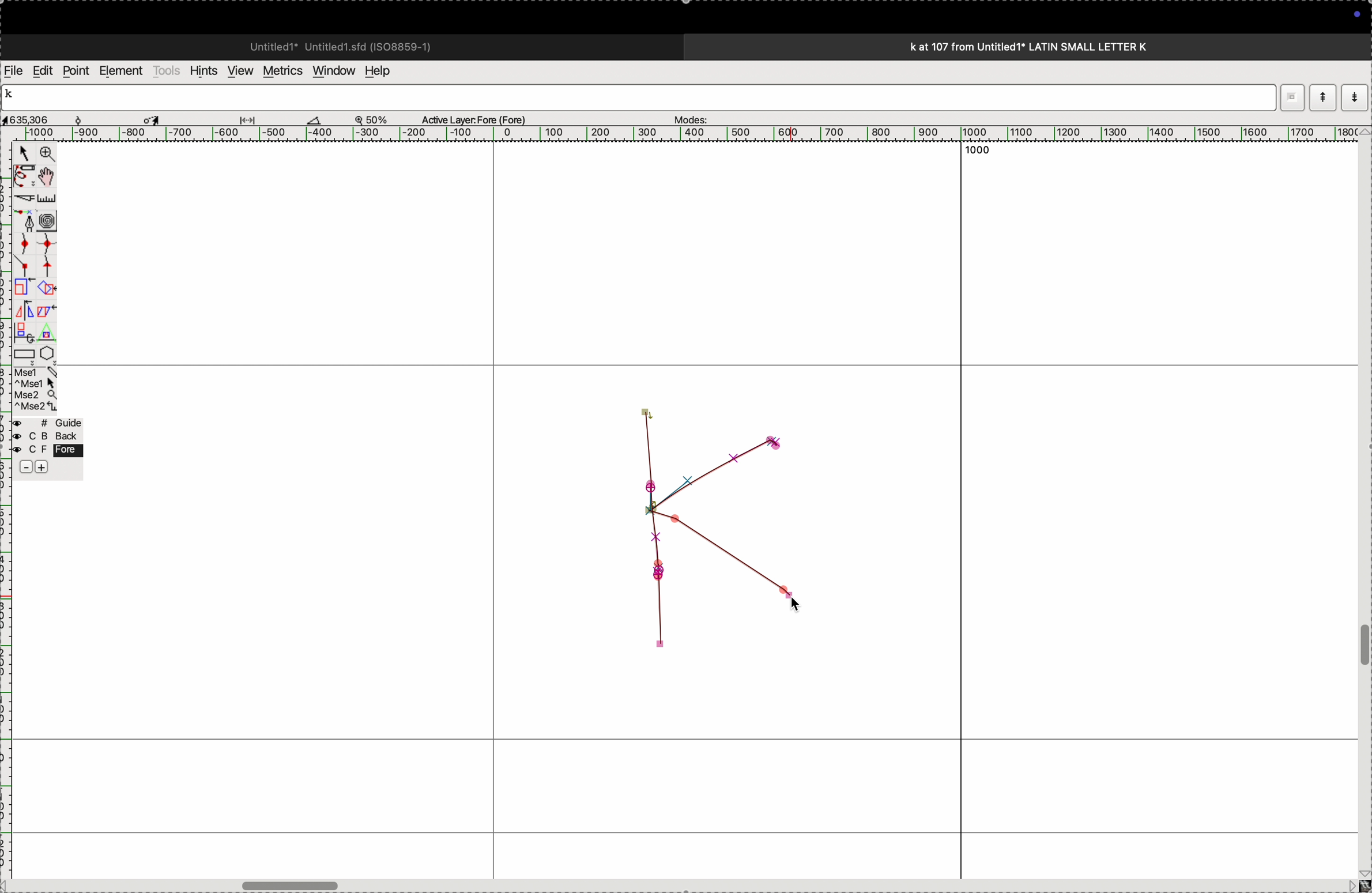 The image size is (1372, 893). I want to click on restore down, so click(1291, 94).